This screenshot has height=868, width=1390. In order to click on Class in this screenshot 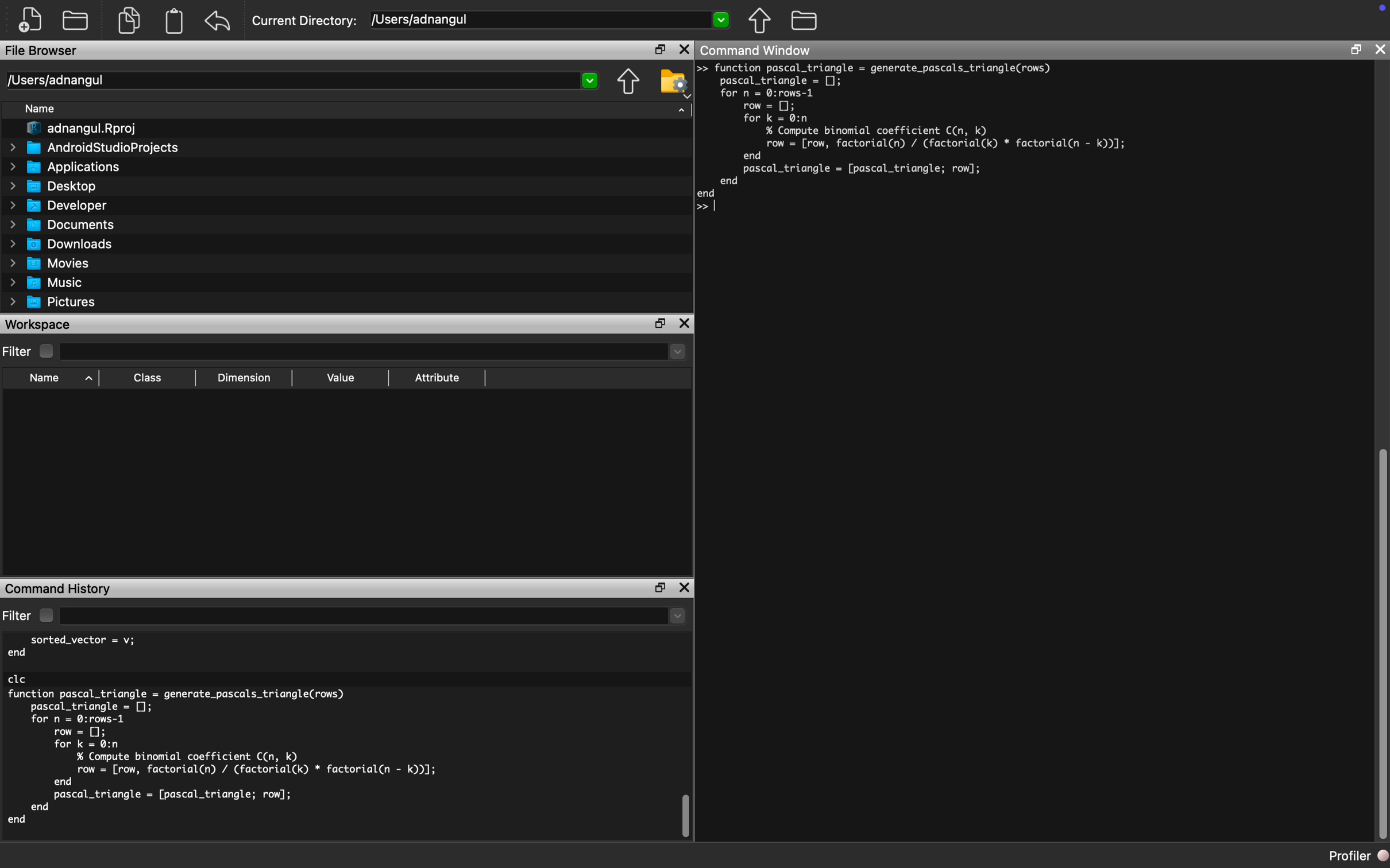, I will do `click(148, 377)`.